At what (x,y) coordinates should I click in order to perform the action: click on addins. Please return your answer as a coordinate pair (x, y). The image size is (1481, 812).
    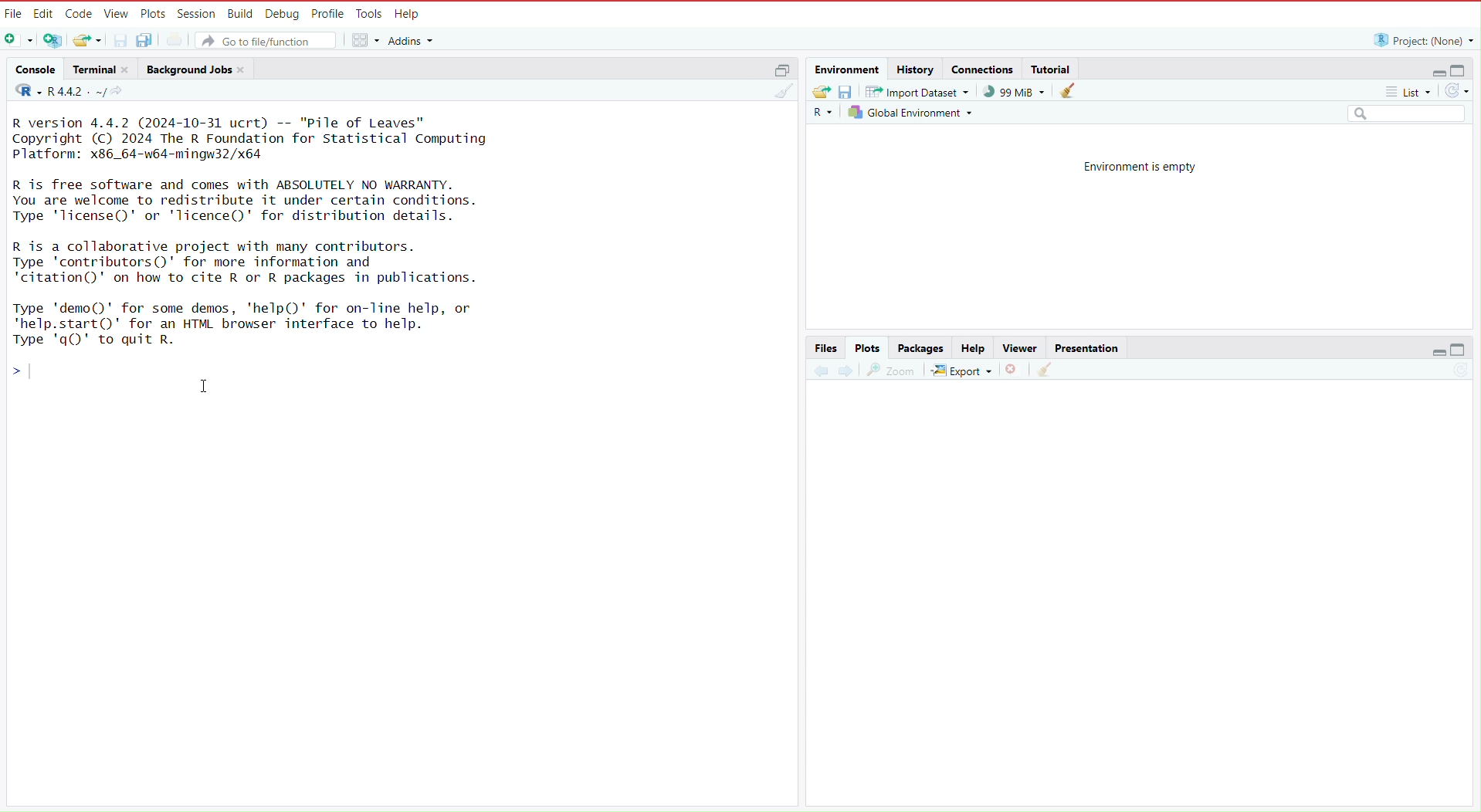
    Looking at the image, I should click on (414, 40).